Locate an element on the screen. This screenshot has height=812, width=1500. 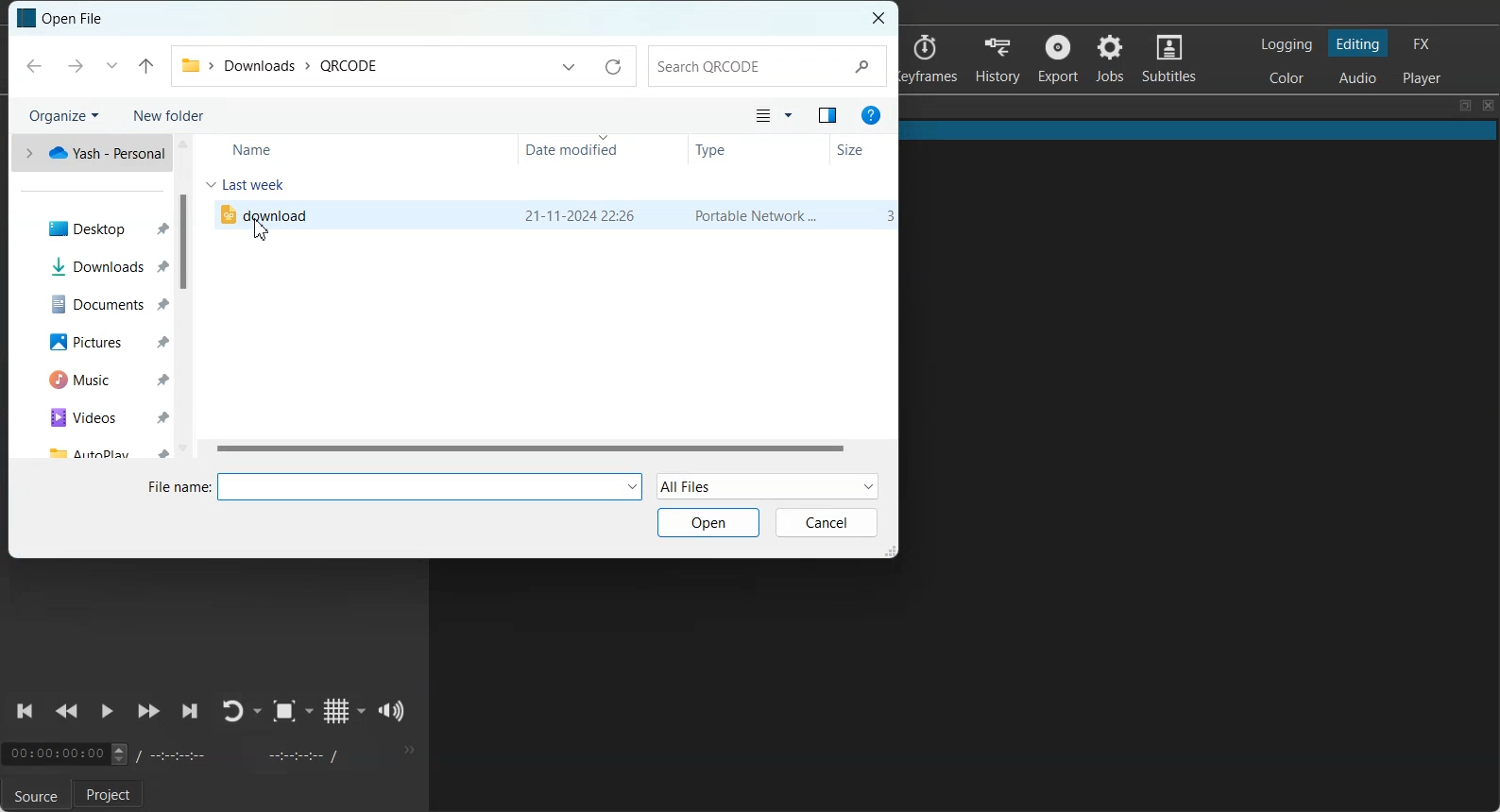
path is located at coordinates (279, 63).